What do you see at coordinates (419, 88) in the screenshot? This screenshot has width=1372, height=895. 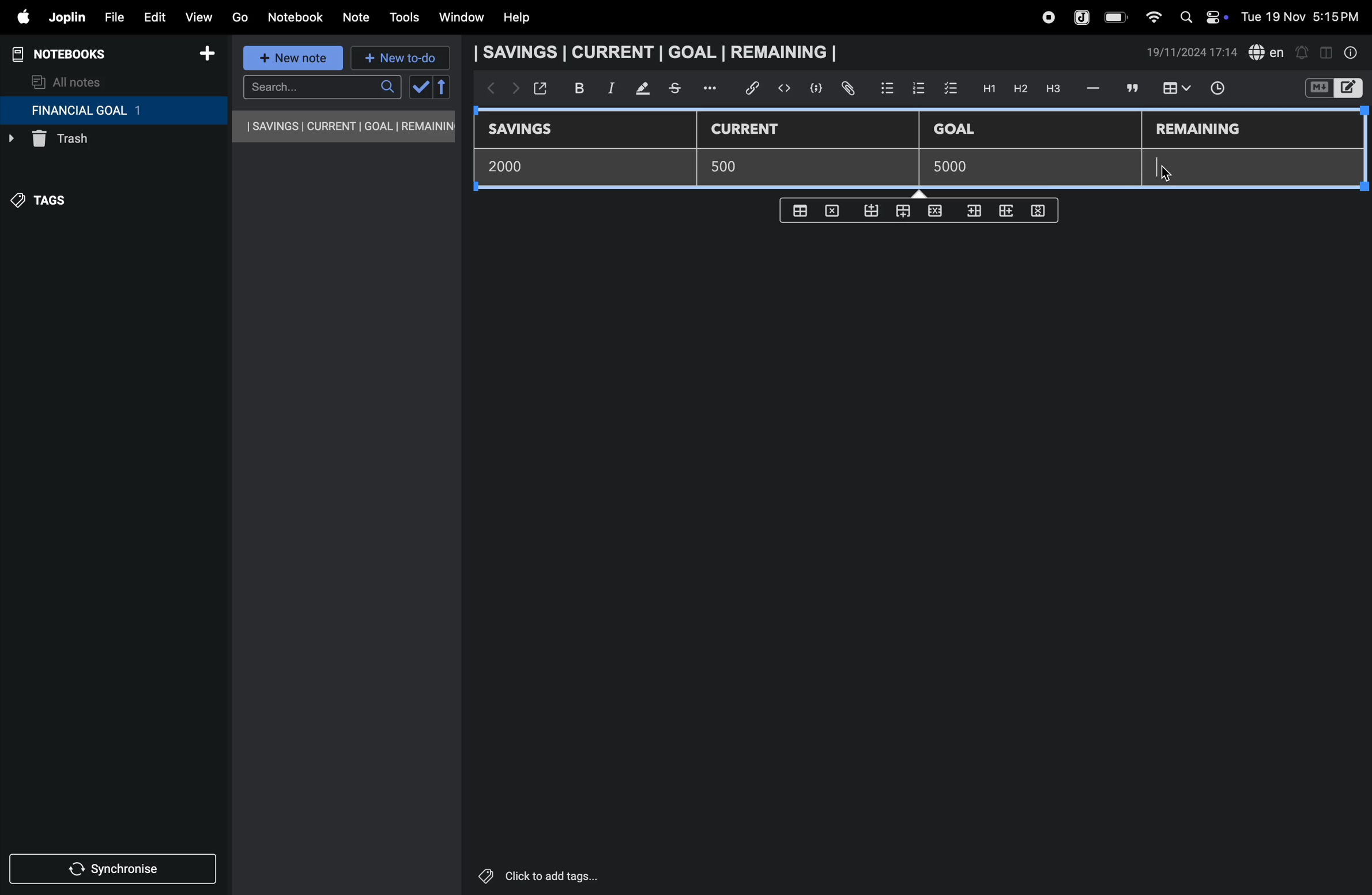 I see `check` at bounding box center [419, 88].